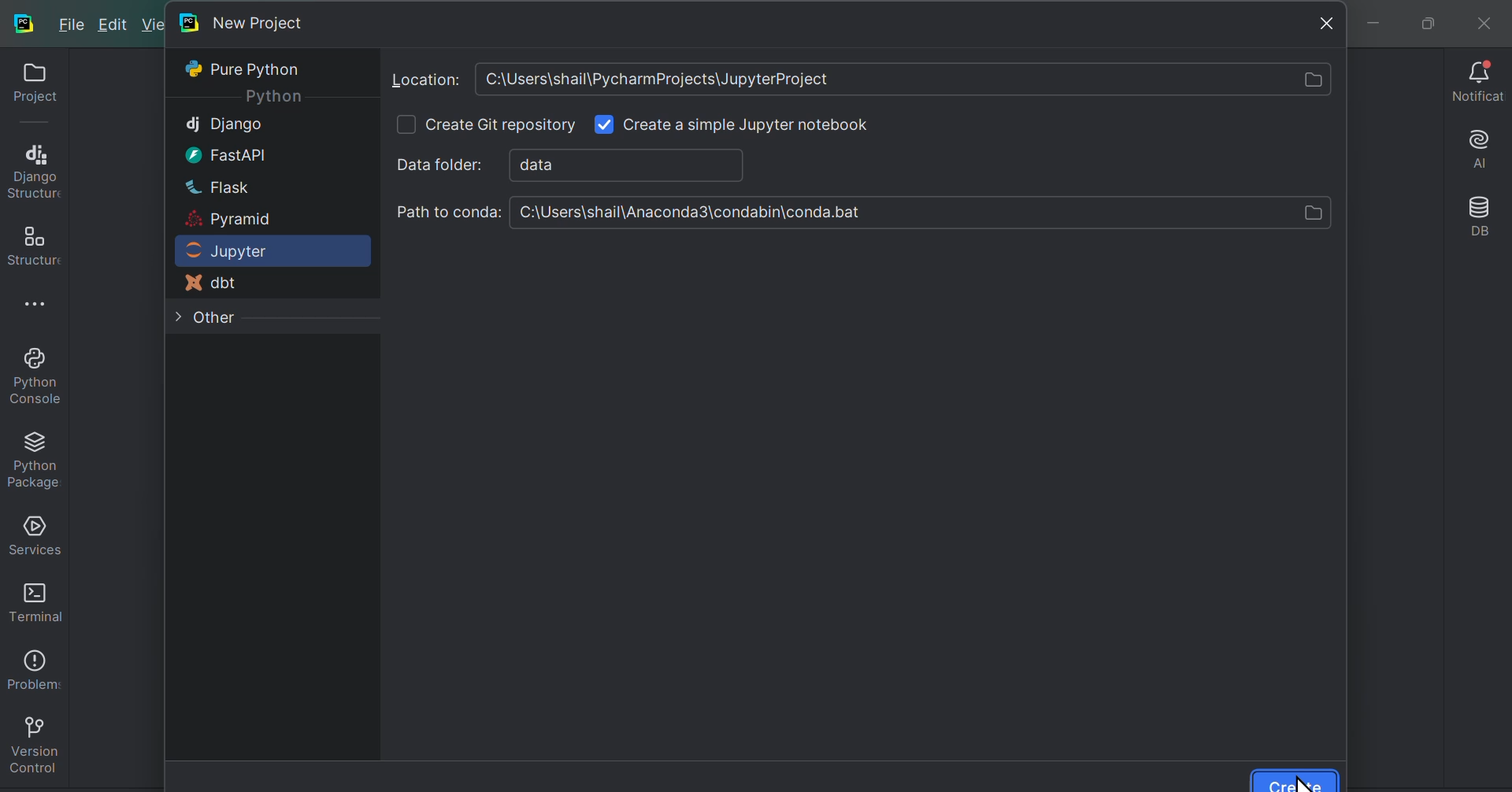 The height and width of the screenshot is (792, 1512). I want to click on , so click(276, 95).